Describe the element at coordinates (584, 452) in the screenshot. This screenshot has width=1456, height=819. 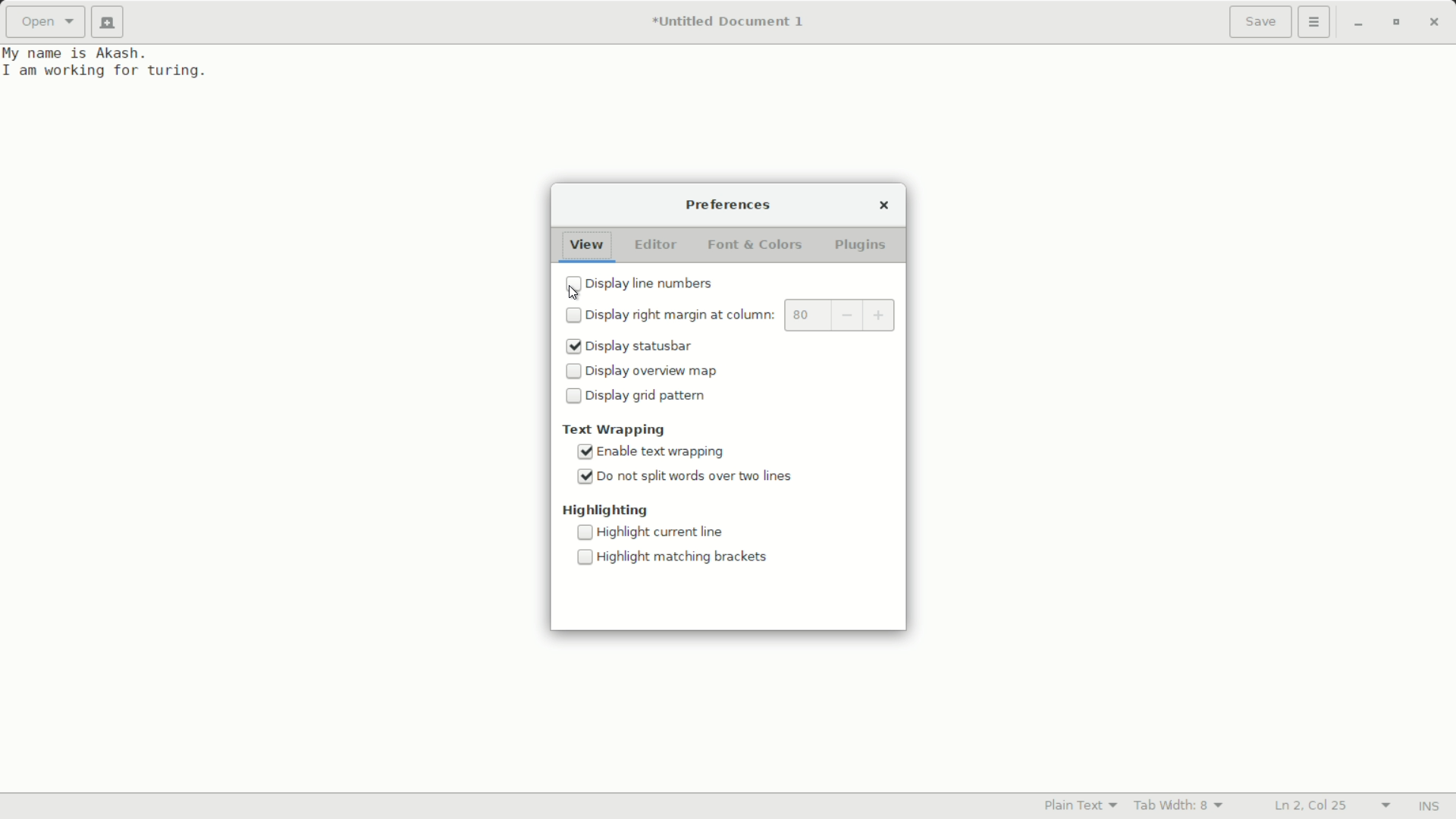
I see `checked checkbox` at that location.